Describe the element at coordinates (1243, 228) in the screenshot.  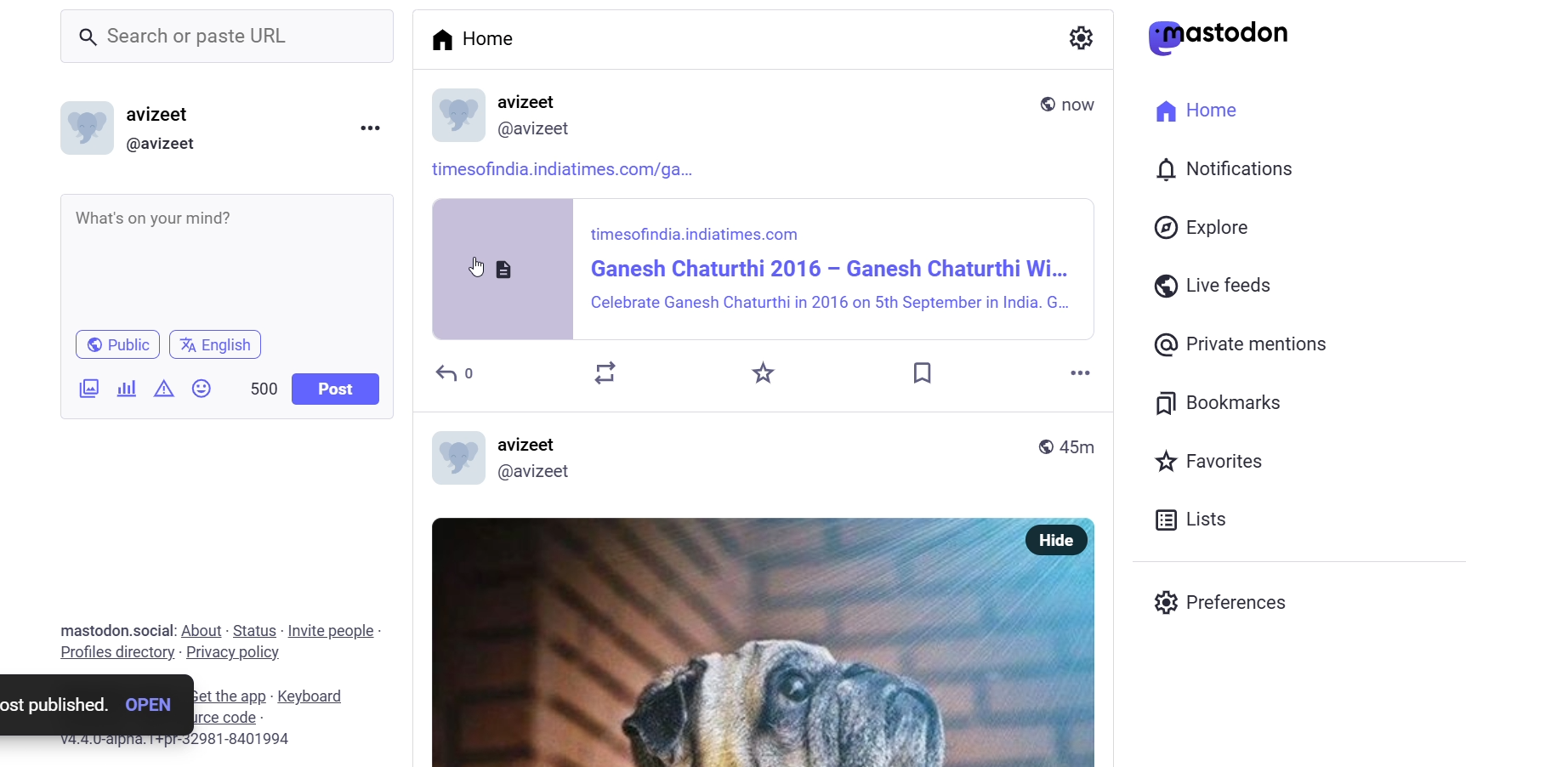
I see `Explore` at that location.